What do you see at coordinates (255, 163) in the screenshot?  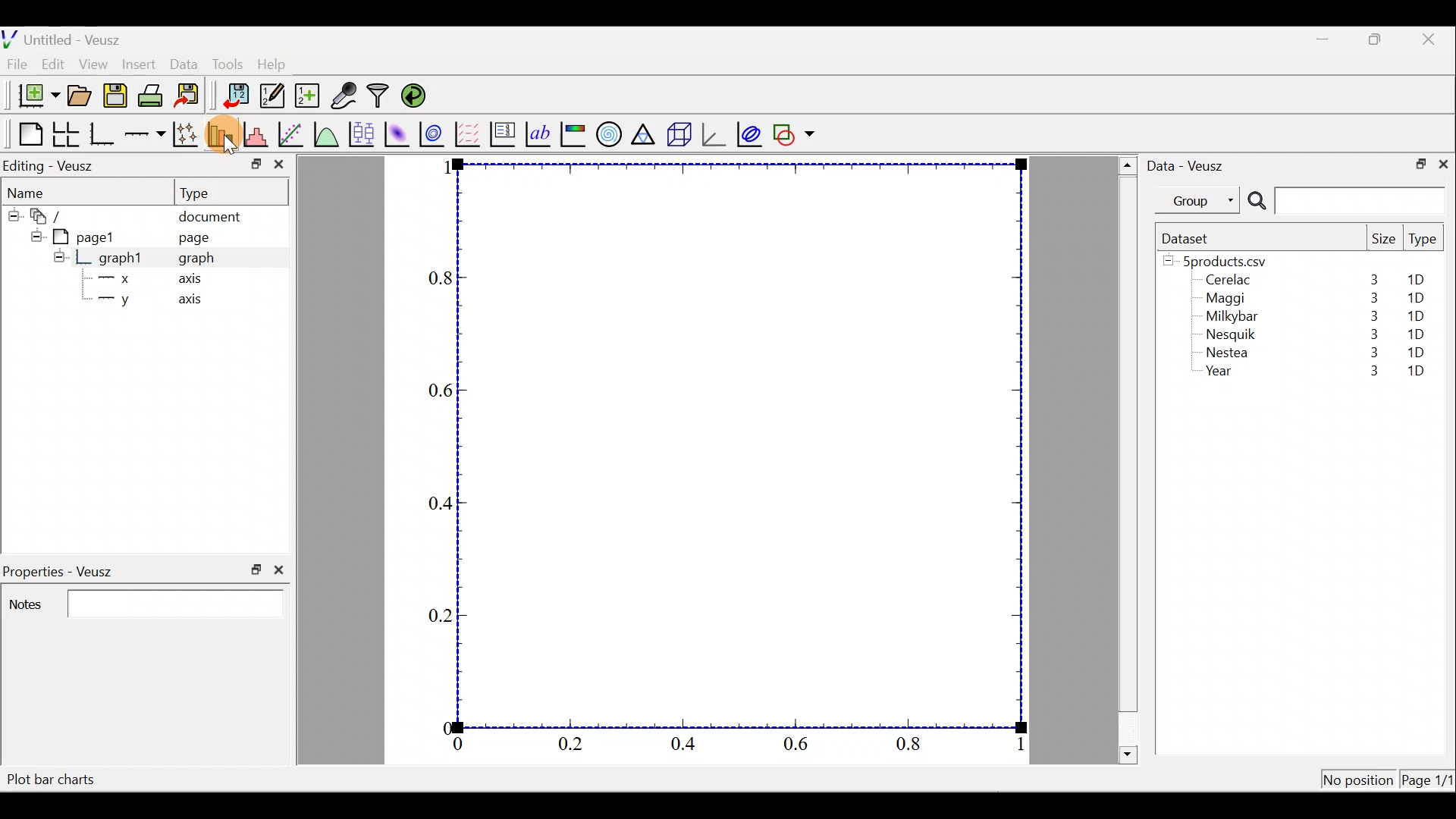 I see `minimize` at bounding box center [255, 163].